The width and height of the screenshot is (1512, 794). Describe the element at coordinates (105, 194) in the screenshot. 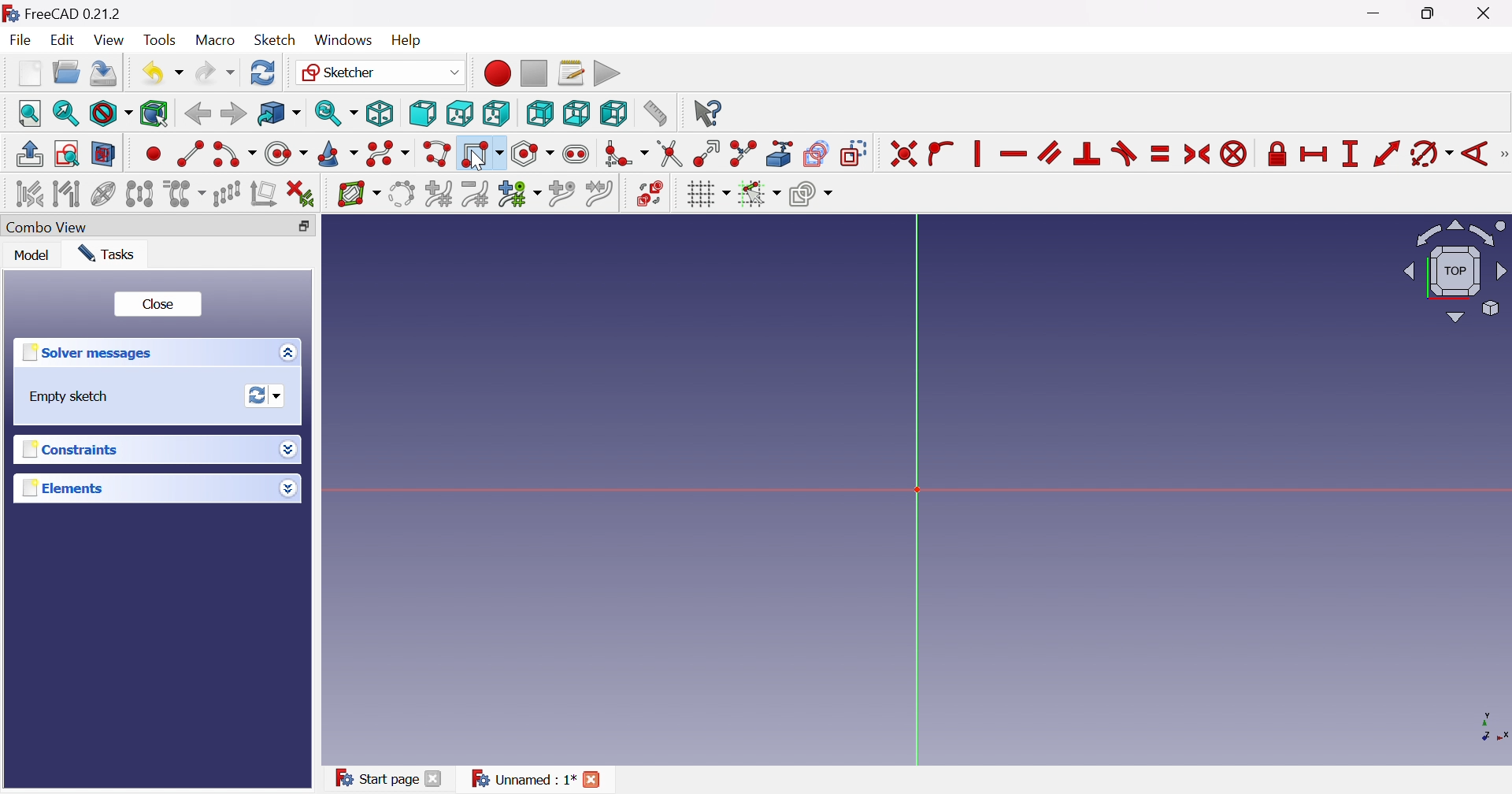

I see `Show/hide internal geometry` at that location.